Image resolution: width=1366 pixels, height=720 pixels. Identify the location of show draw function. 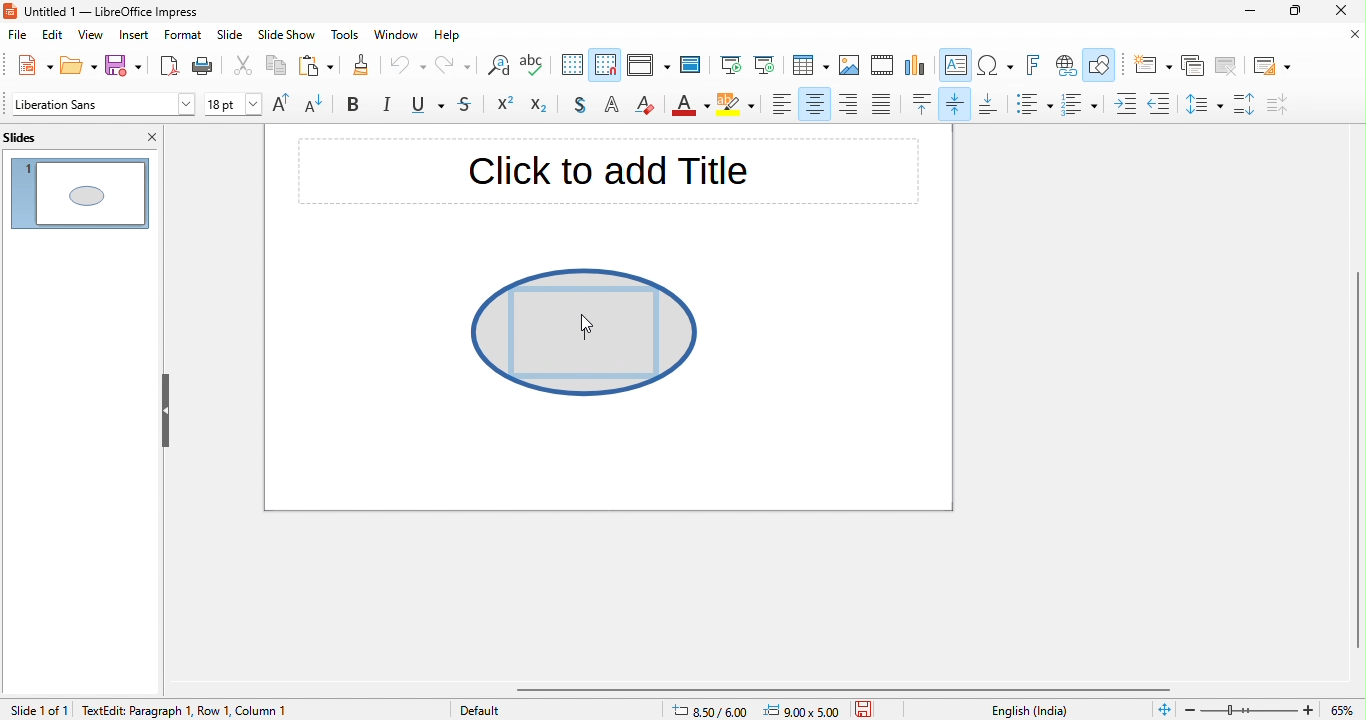
(1101, 67).